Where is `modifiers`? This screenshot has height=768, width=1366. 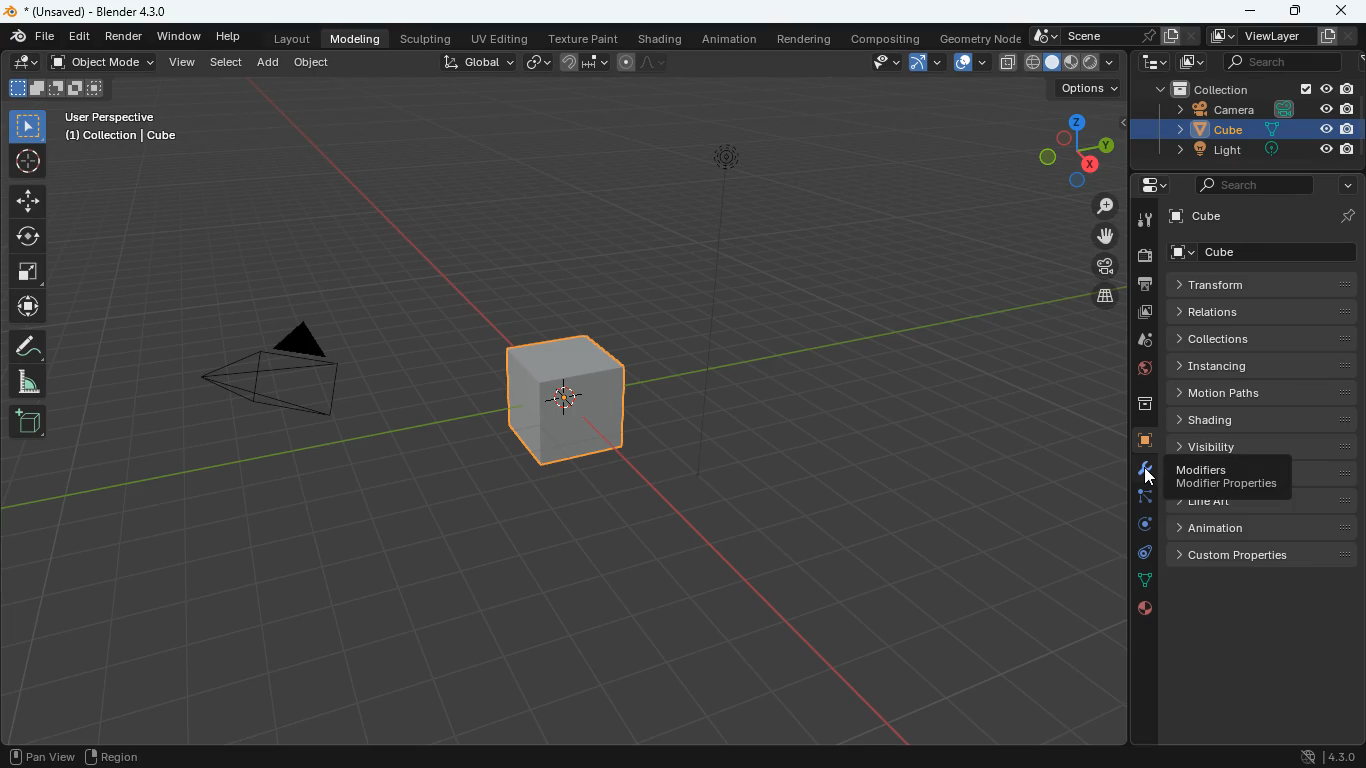
modifiers is located at coordinates (1229, 479).